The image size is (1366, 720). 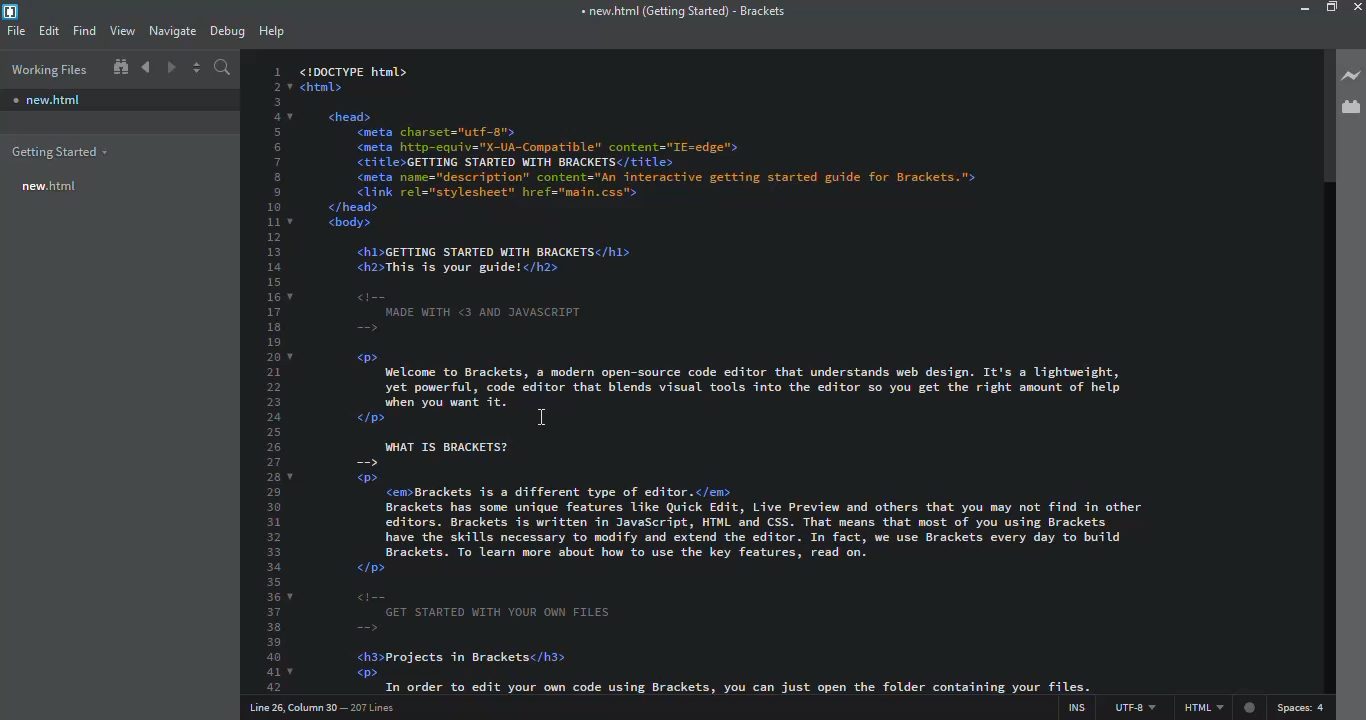 I want to click on brackets, so click(x=14, y=12).